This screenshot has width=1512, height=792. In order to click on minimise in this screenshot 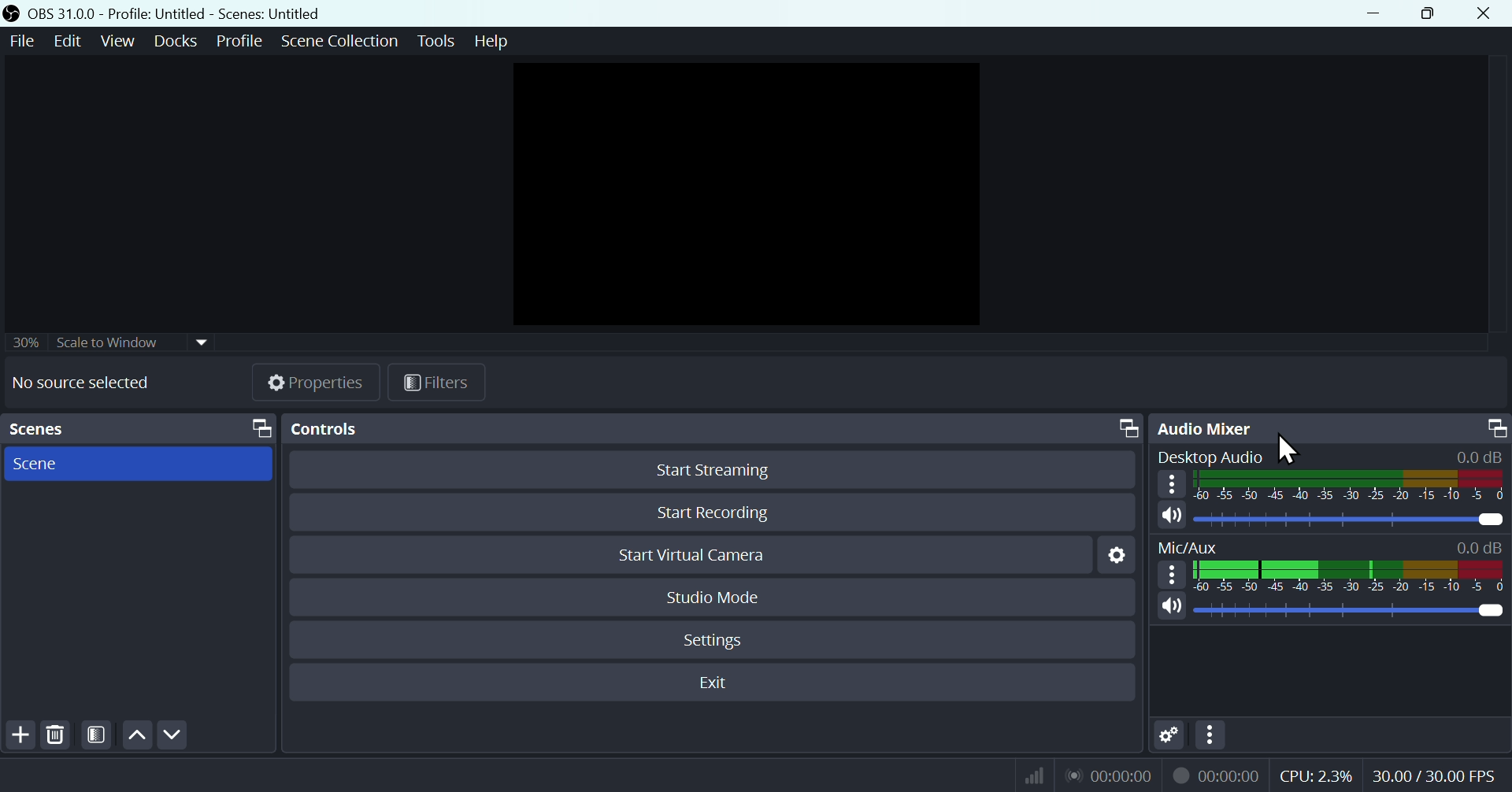, I will do `click(1376, 13)`.